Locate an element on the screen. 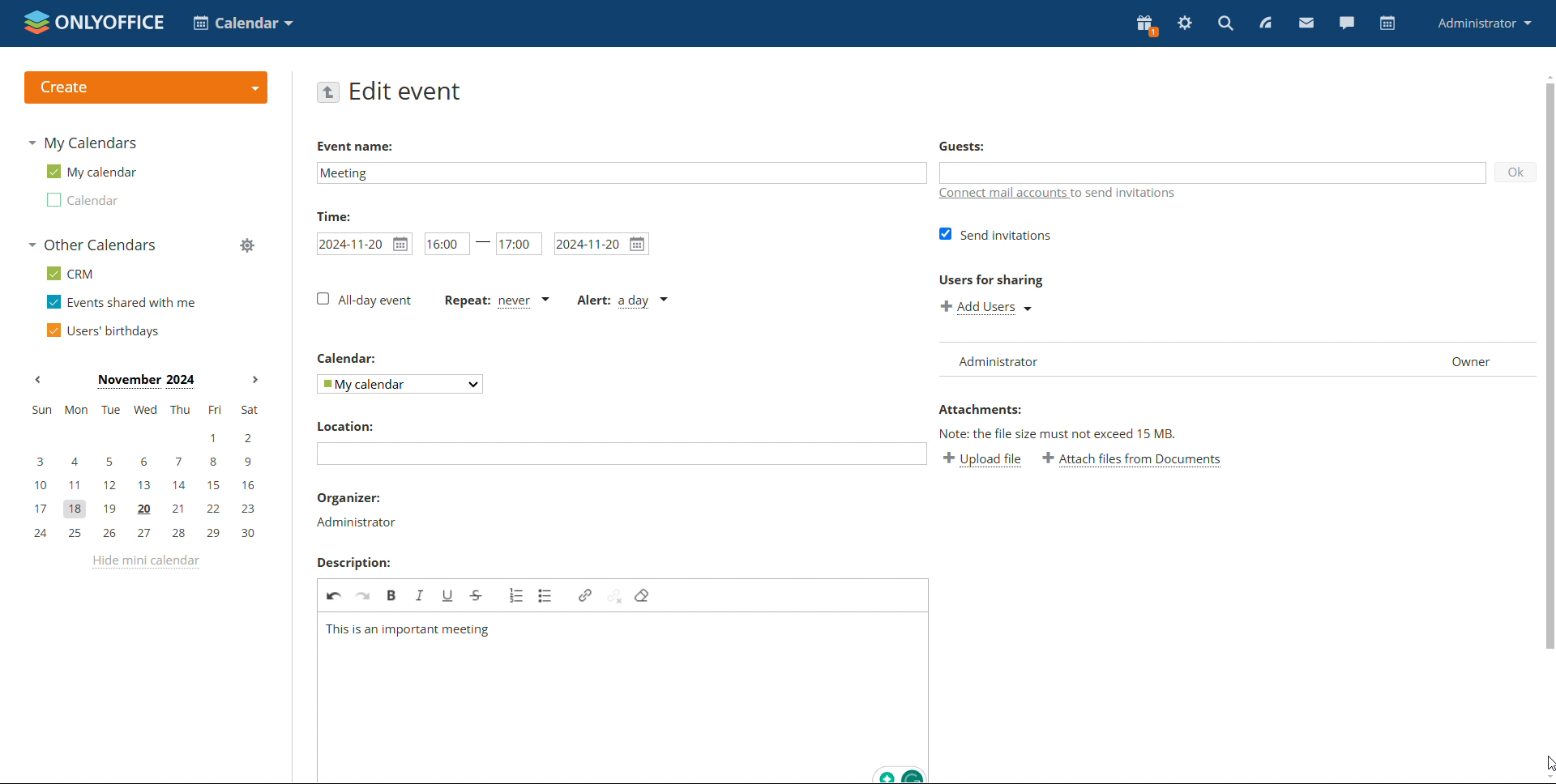  users for sharing is located at coordinates (990, 280).